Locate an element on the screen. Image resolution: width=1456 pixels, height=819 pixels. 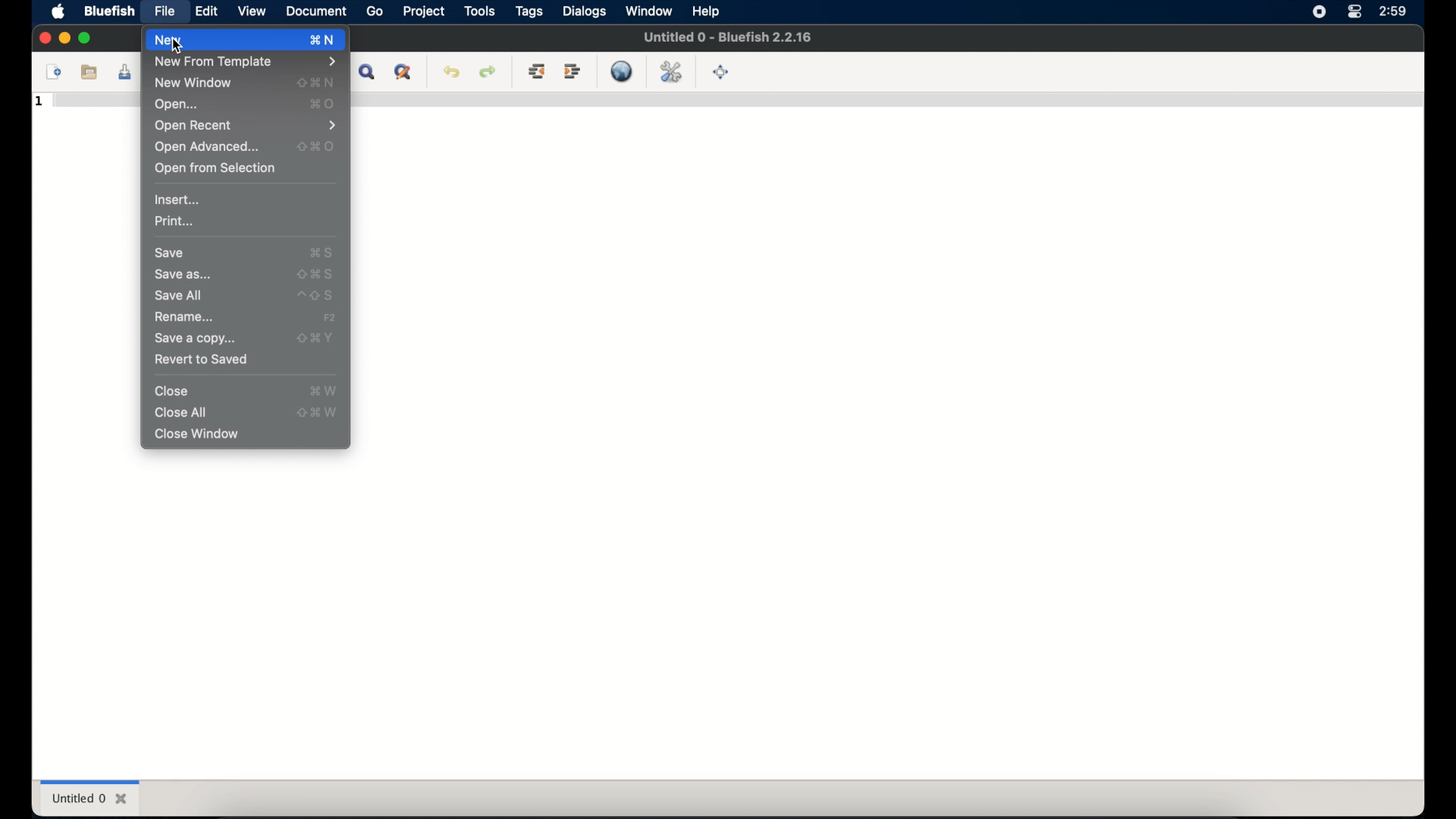
open advanced shortcut is located at coordinates (316, 146).